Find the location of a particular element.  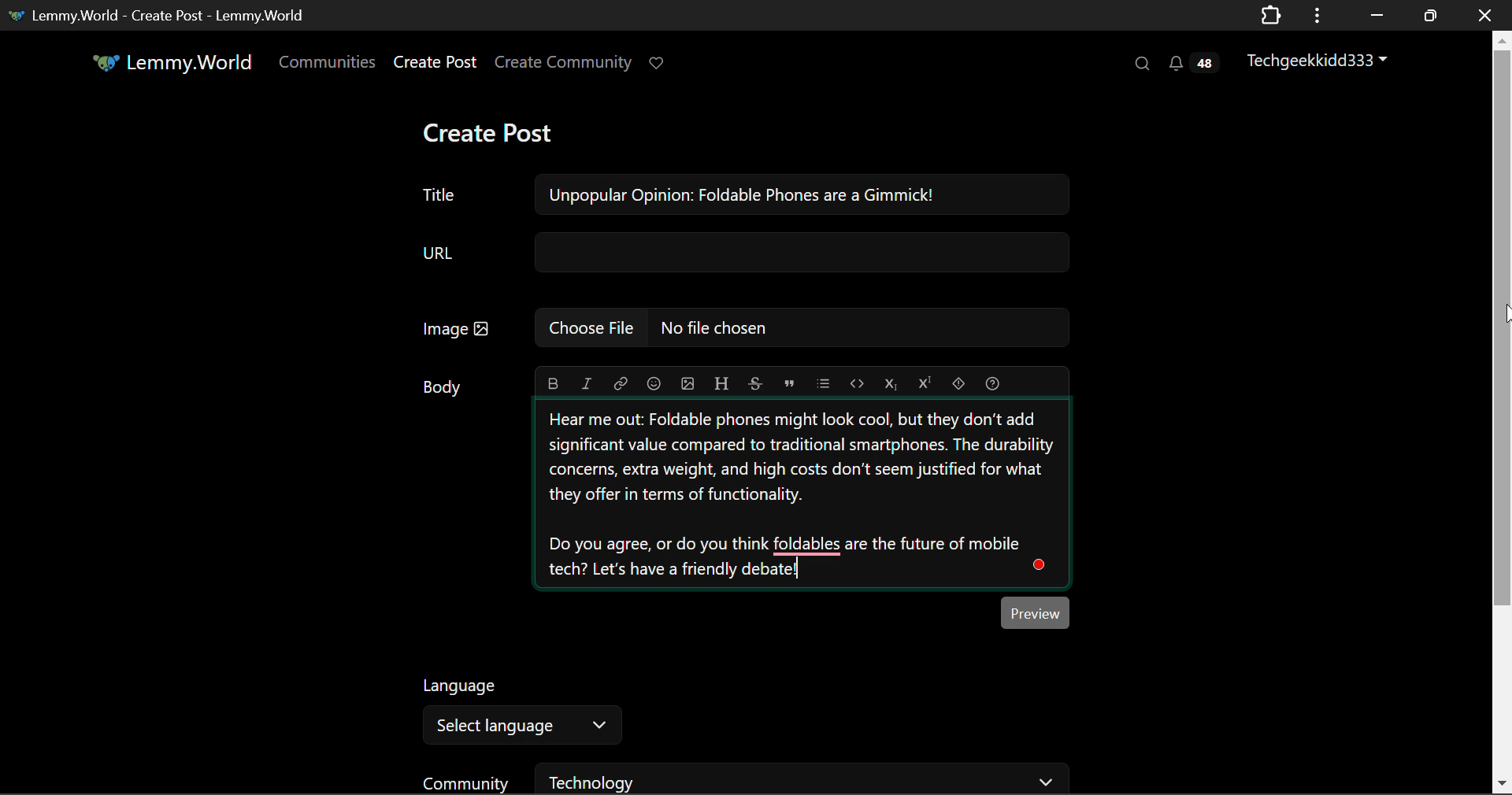

bold is located at coordinates (554, 380).